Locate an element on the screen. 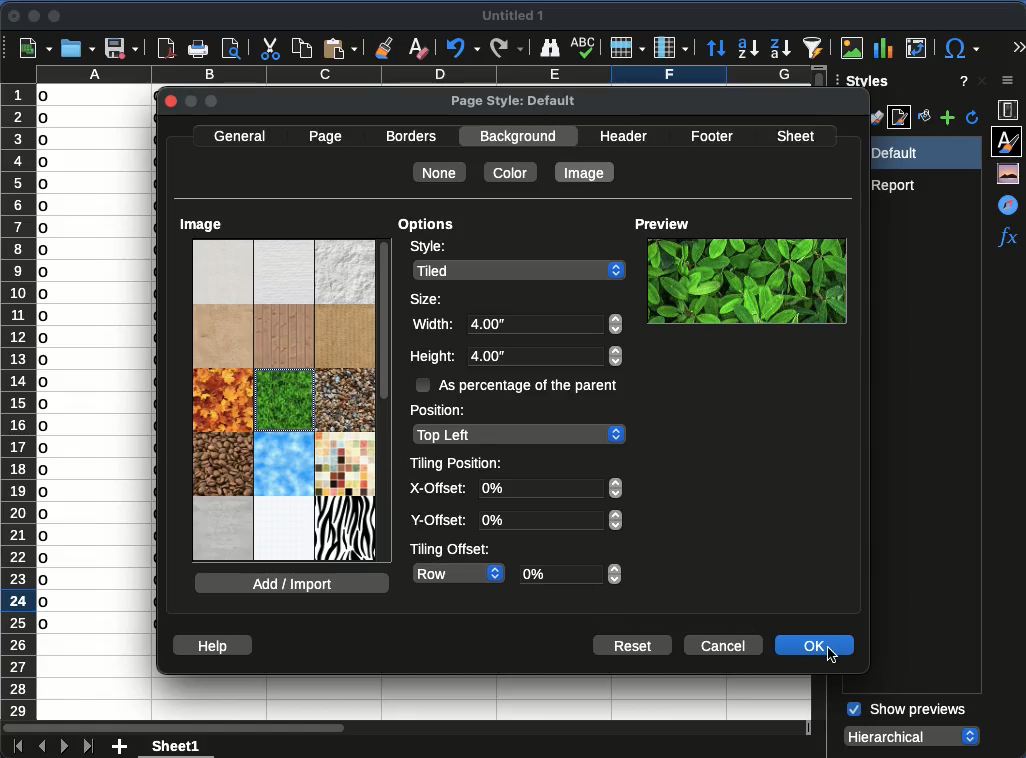 The height and width of the screenshot is (758, 1026). cut is located at coordinates (269, 49).